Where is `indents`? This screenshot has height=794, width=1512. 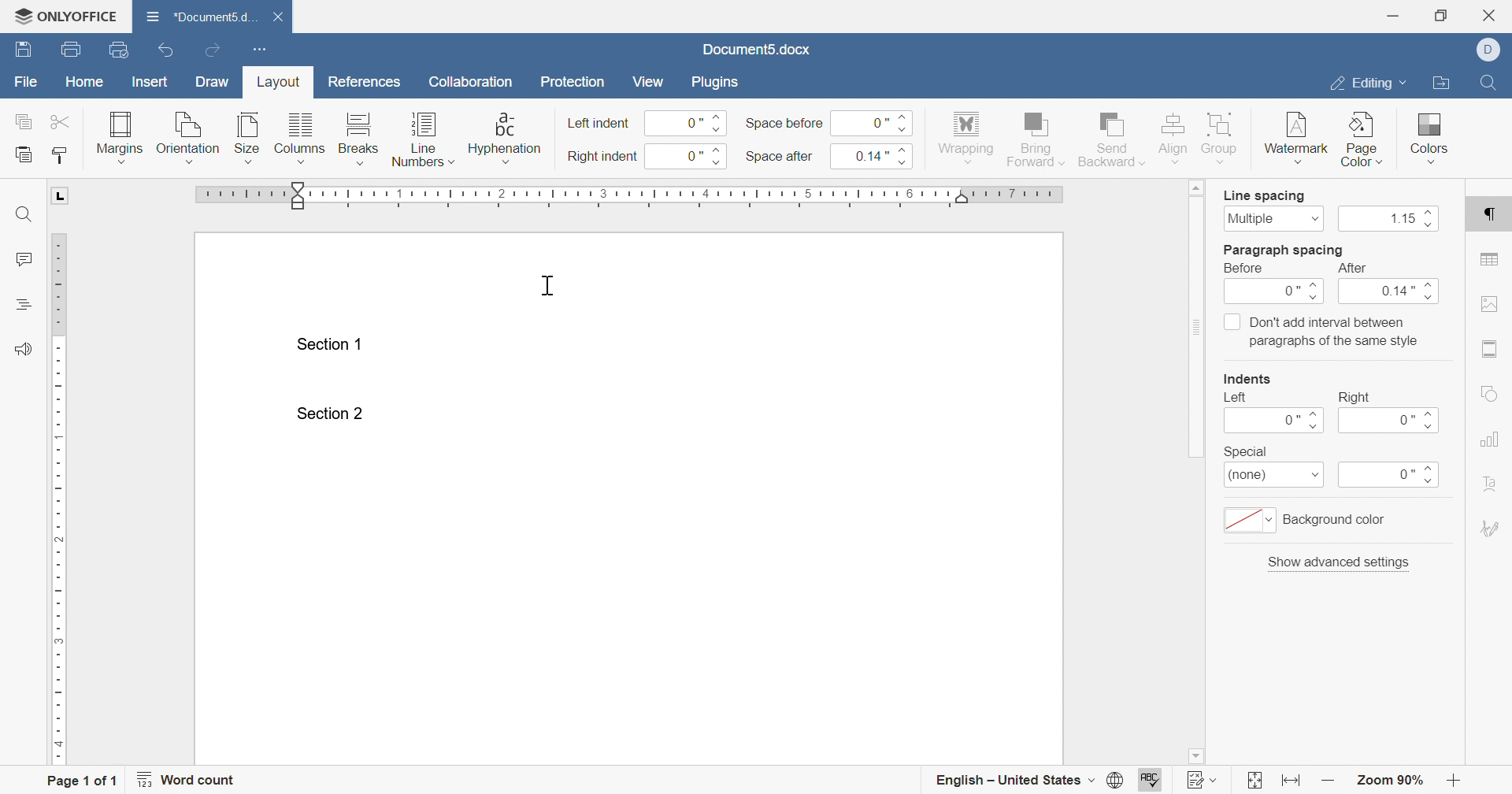 indents is located at coordinates (1250, 379).